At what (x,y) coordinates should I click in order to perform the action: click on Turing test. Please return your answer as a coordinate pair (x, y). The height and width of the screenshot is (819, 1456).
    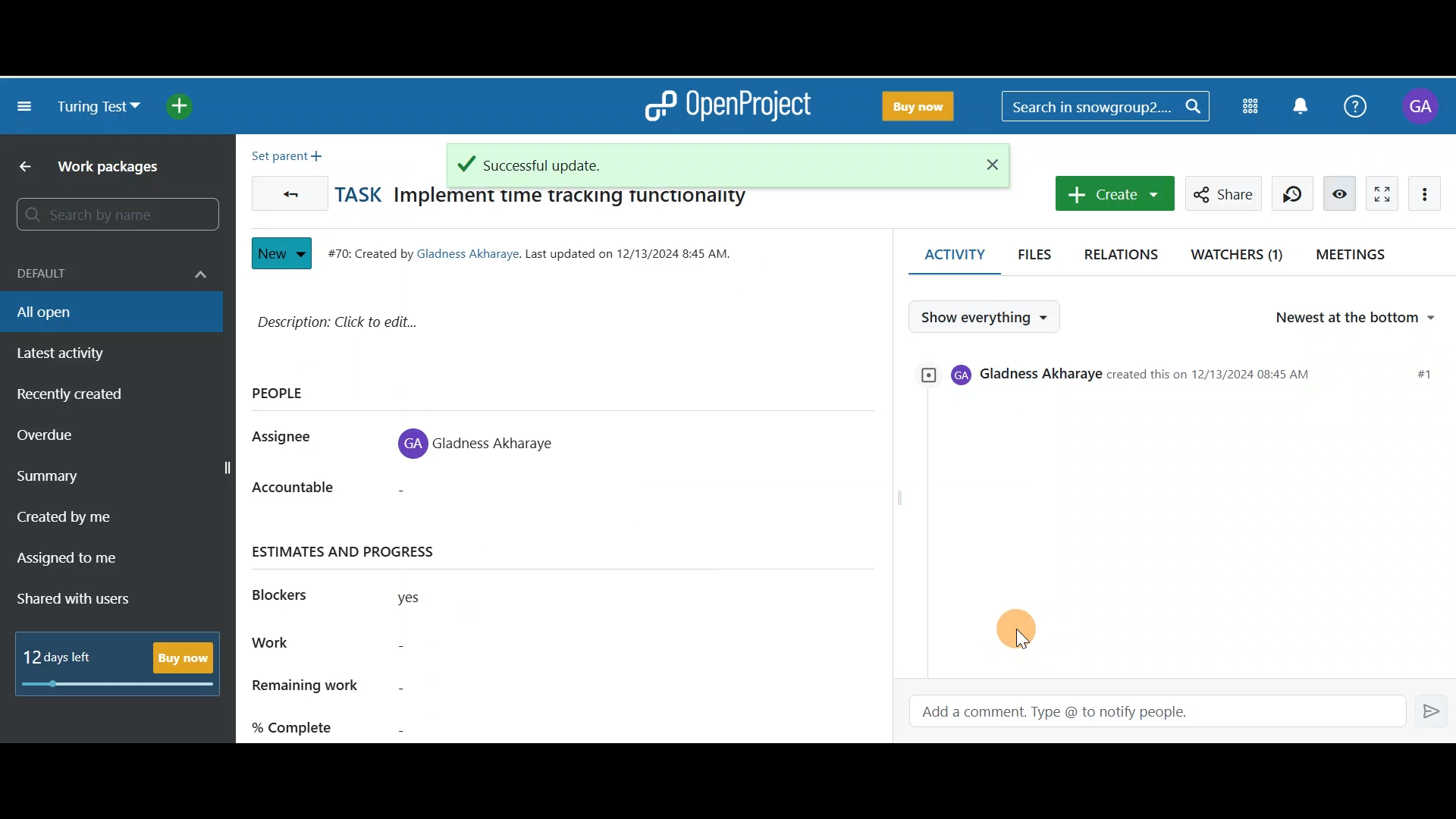
    Looking at the image, I should click on (99, 107).